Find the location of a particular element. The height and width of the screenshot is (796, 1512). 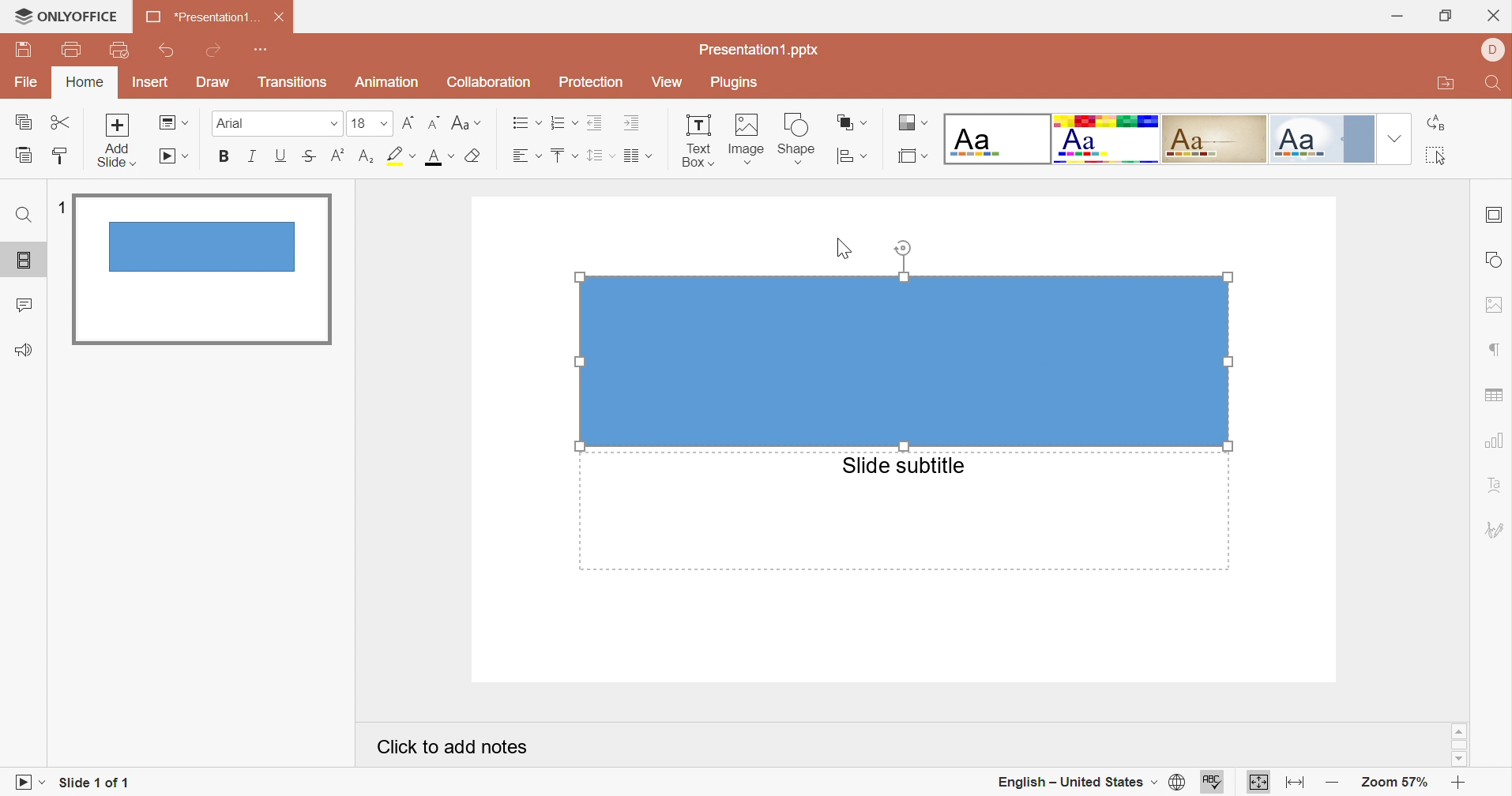

Drop down is located at coordinates (1396, 138).